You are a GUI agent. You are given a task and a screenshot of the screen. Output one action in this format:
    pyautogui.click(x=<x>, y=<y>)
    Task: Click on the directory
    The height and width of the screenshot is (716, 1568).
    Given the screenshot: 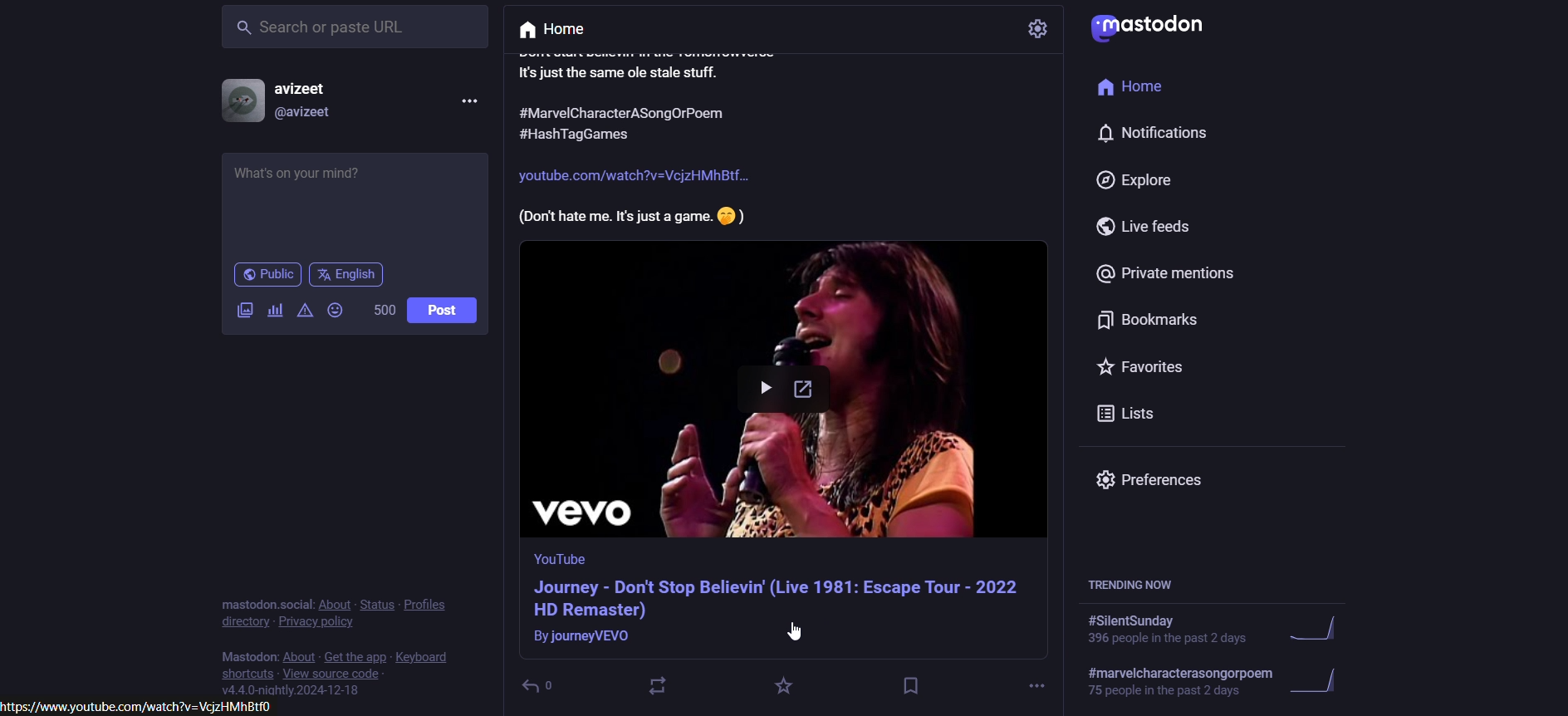 What is the action you would take?
    pyautogui.click(x=245, y=622)
    